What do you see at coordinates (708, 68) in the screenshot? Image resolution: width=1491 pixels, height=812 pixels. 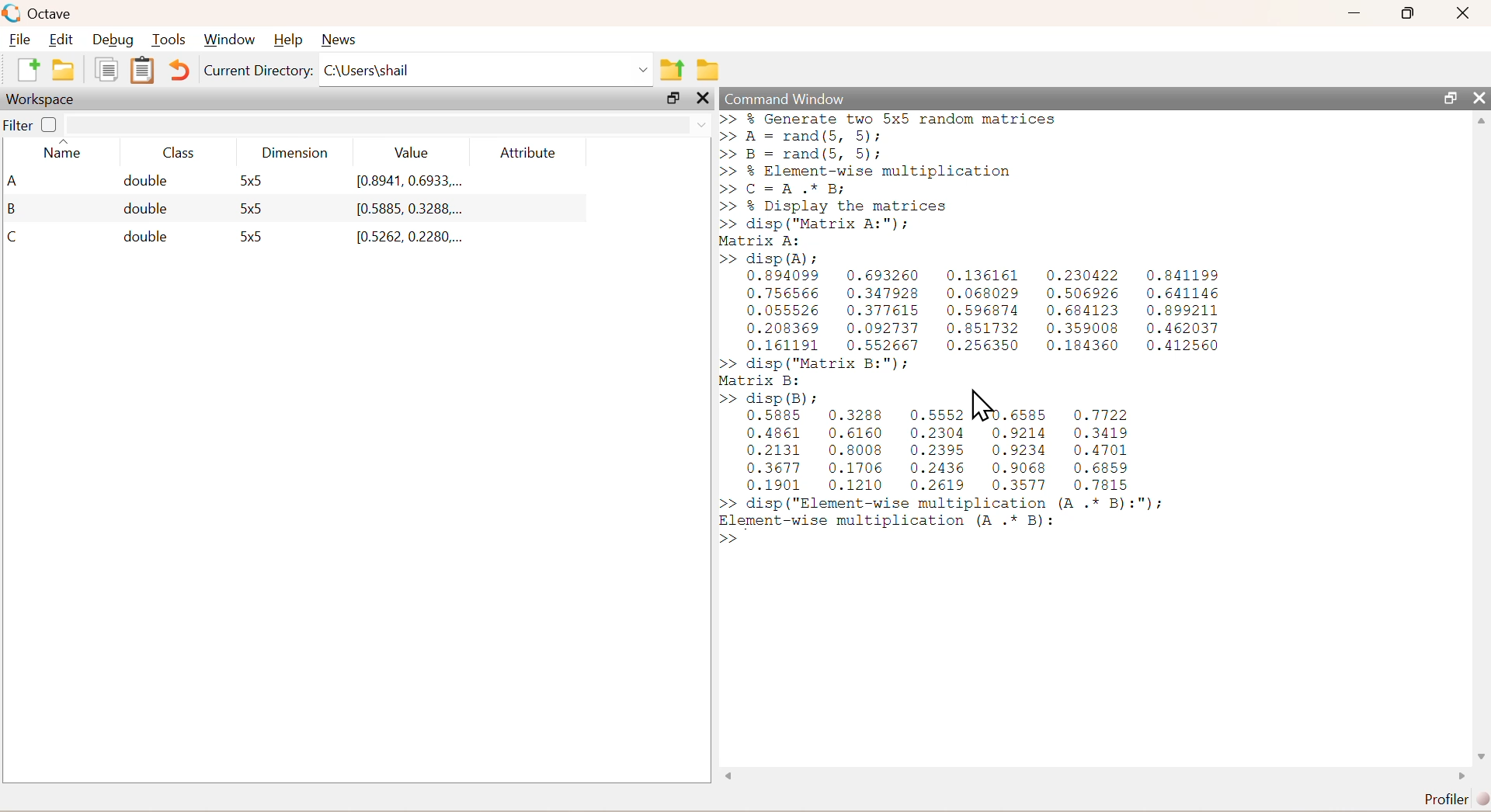 I see `Browse directories` at bounding box center [708, 68].